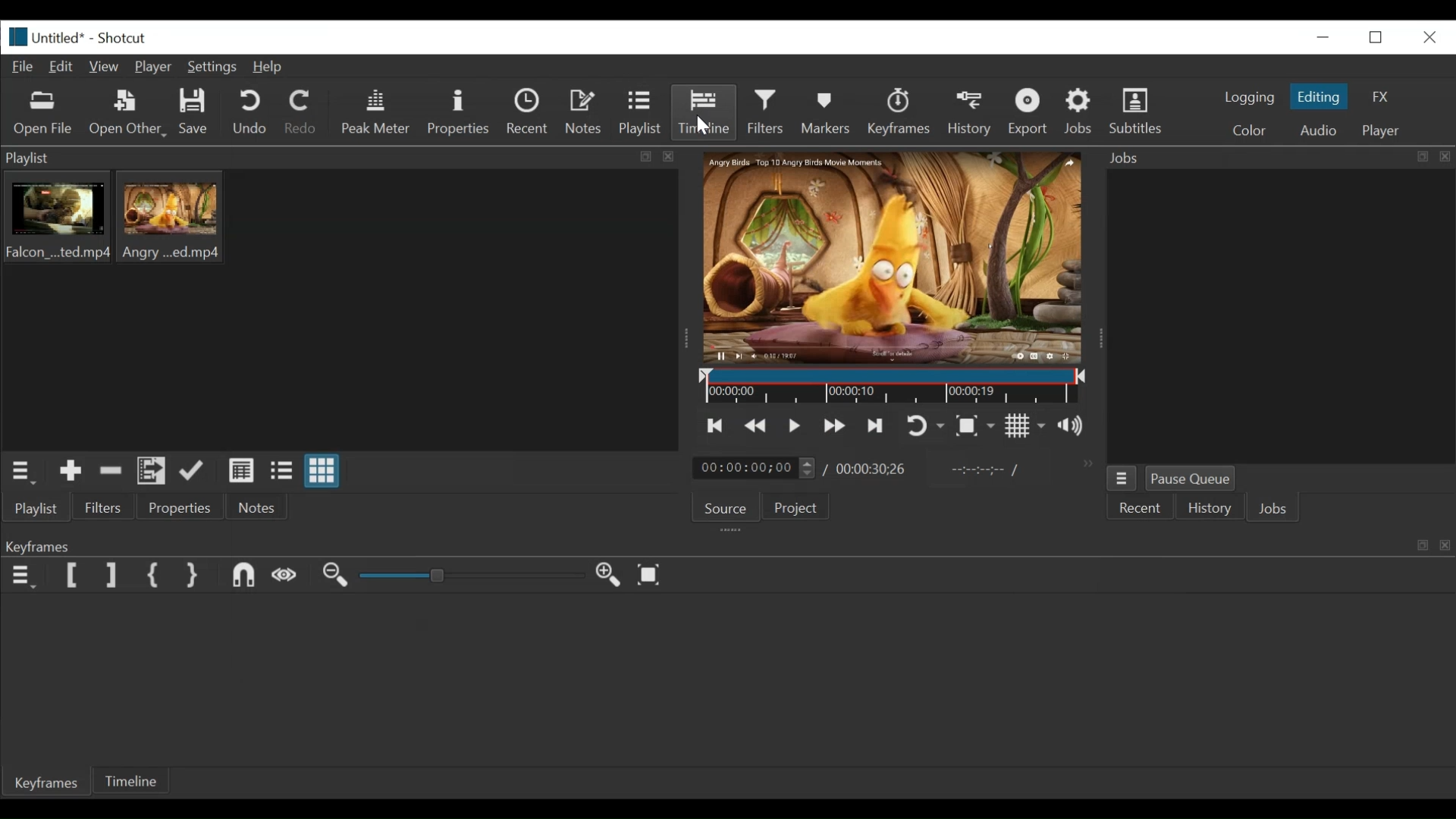  Describe the element at coordinates (268, 67) in the screenshot. I see `Help` at that location.